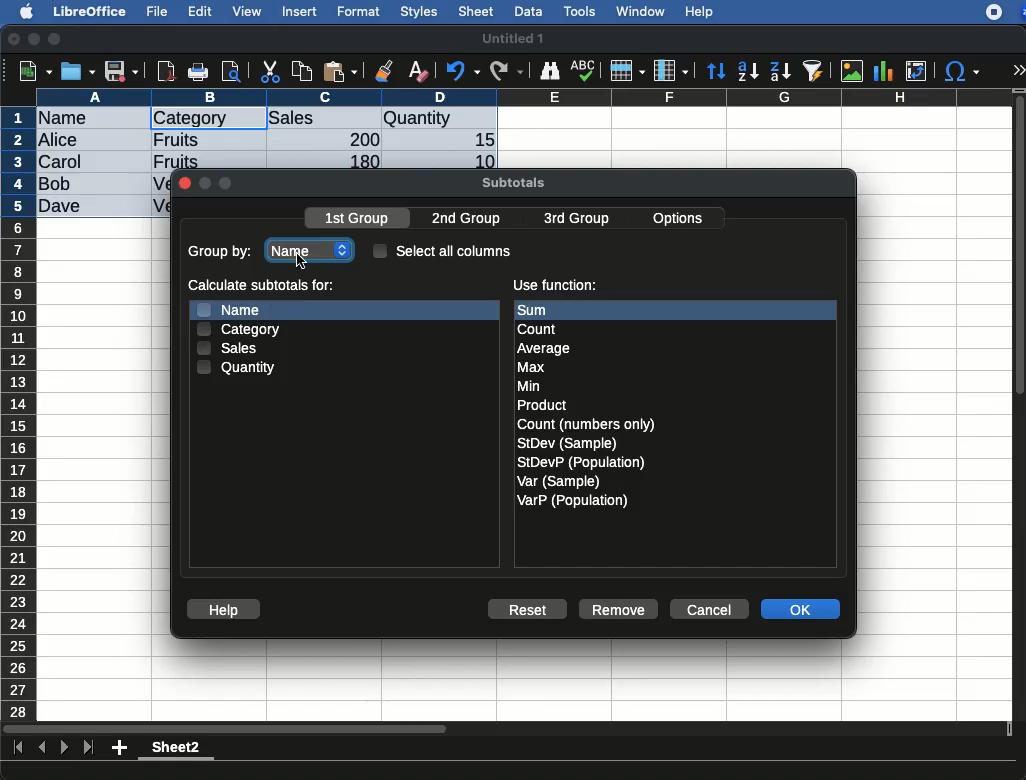 Image resolution: width=1026 pixels, height=780 pixels. What do you see at coordinates (304, 261) in the screenshot?
I see `cursor` at bounding box center [304, 261].